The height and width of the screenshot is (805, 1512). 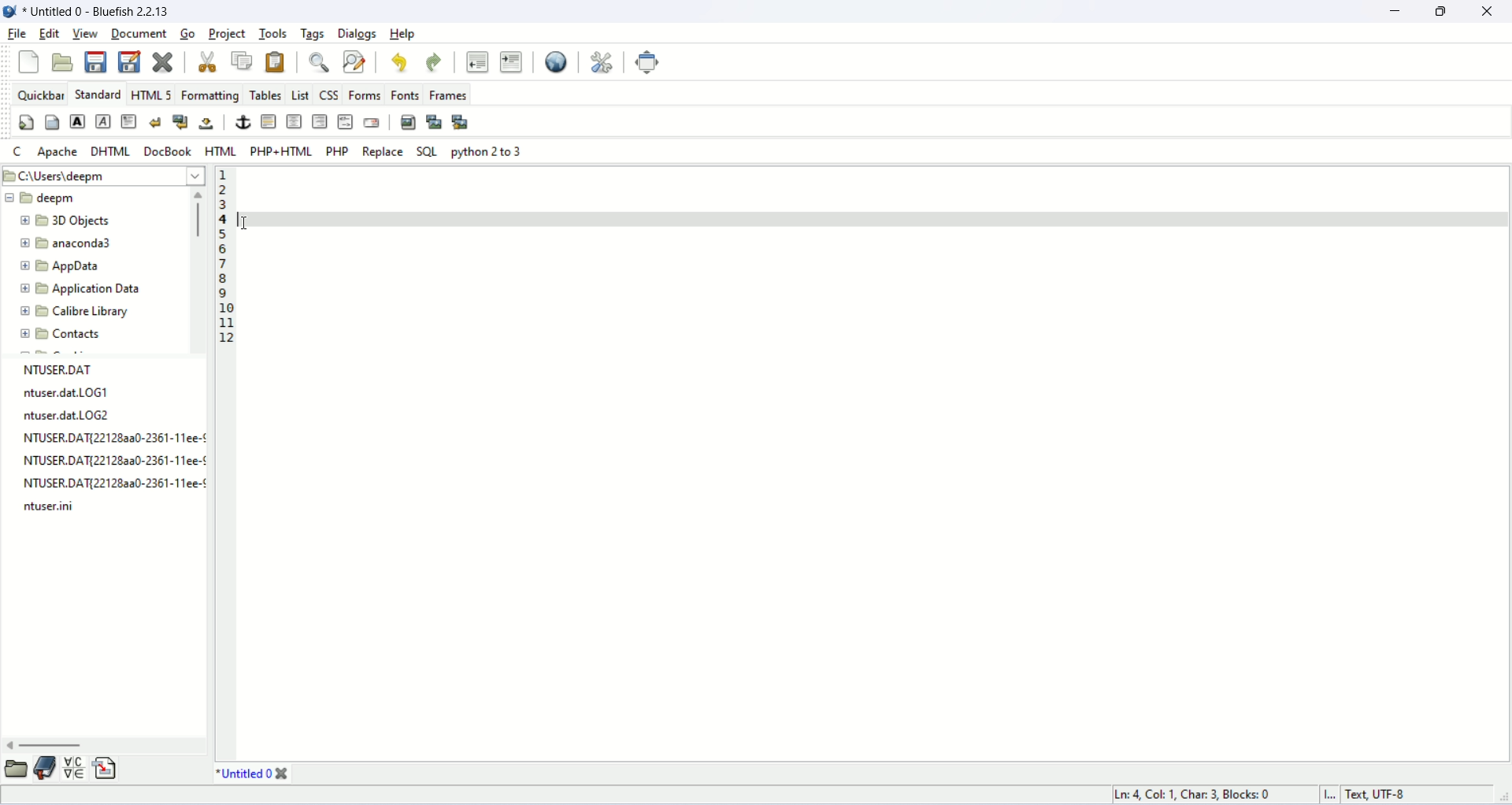 What do you see at coordinates (1407, 796) in the screenshot?
I see `character encoding` at bounding box center [1407, 796].